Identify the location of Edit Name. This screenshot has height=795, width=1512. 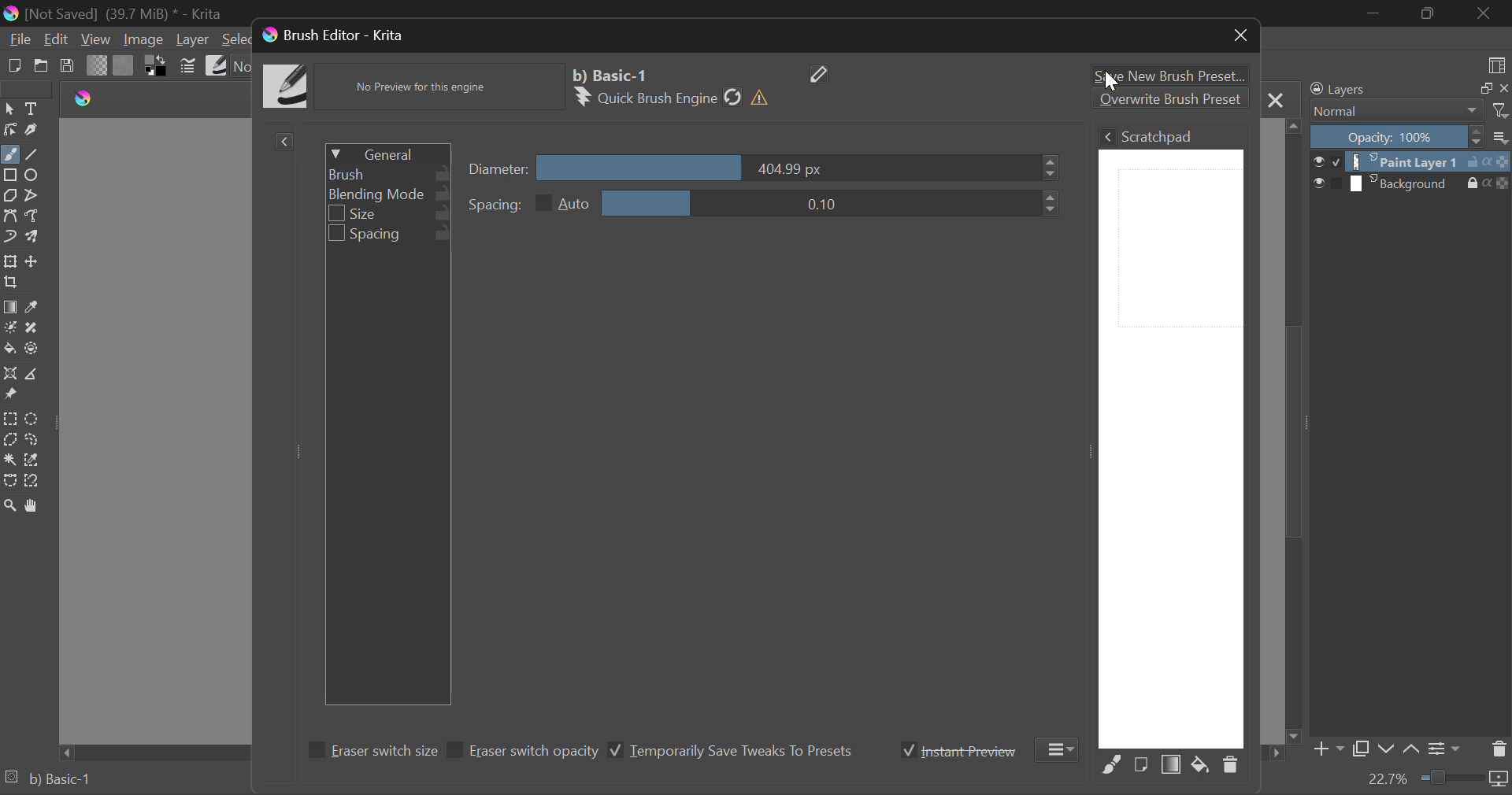
(821, 73).